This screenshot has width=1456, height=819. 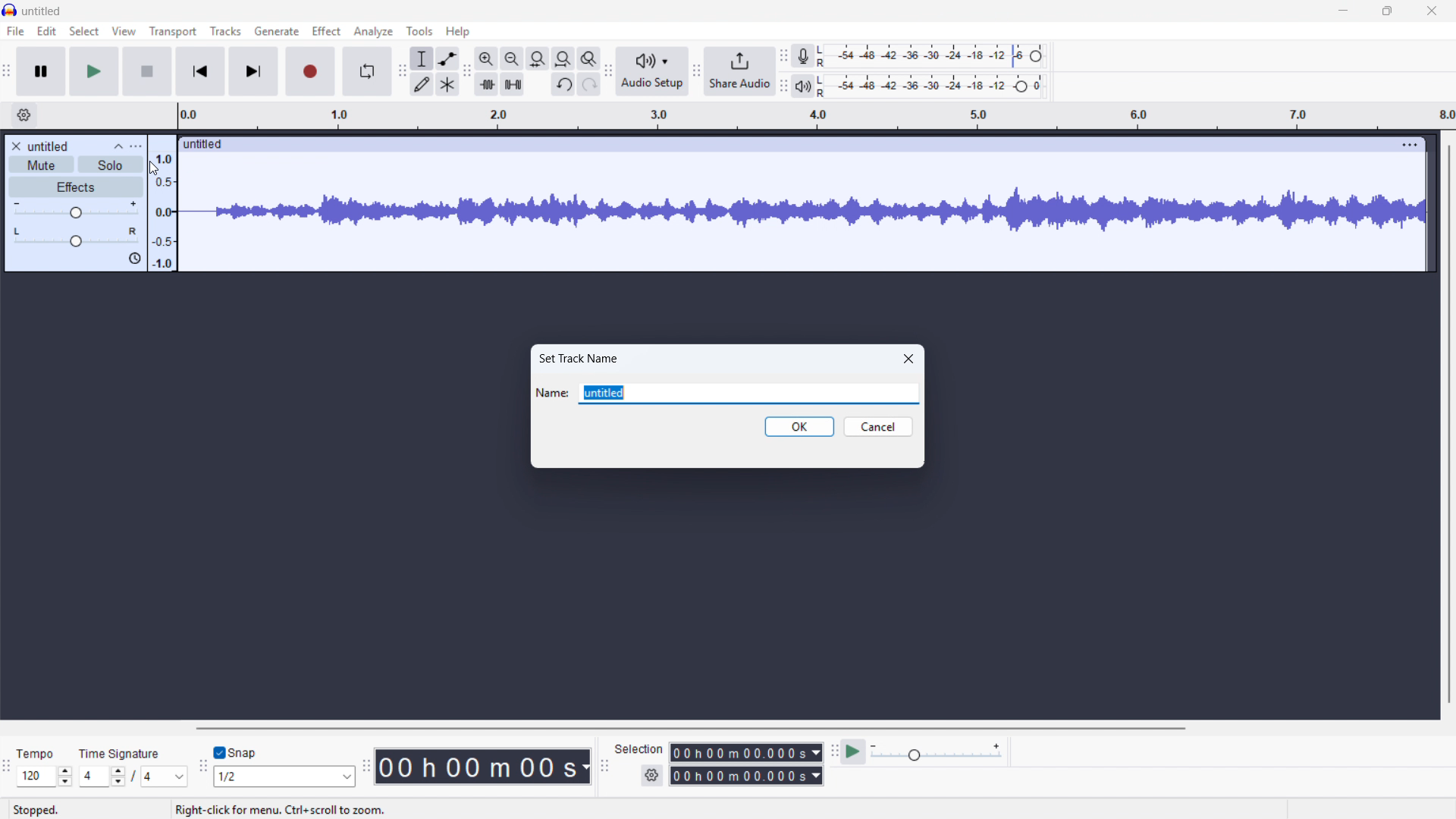 What do you see at coordinates (740, 72) in the screenshot?
I see `Share audio ` at bounding box center [740, 72].